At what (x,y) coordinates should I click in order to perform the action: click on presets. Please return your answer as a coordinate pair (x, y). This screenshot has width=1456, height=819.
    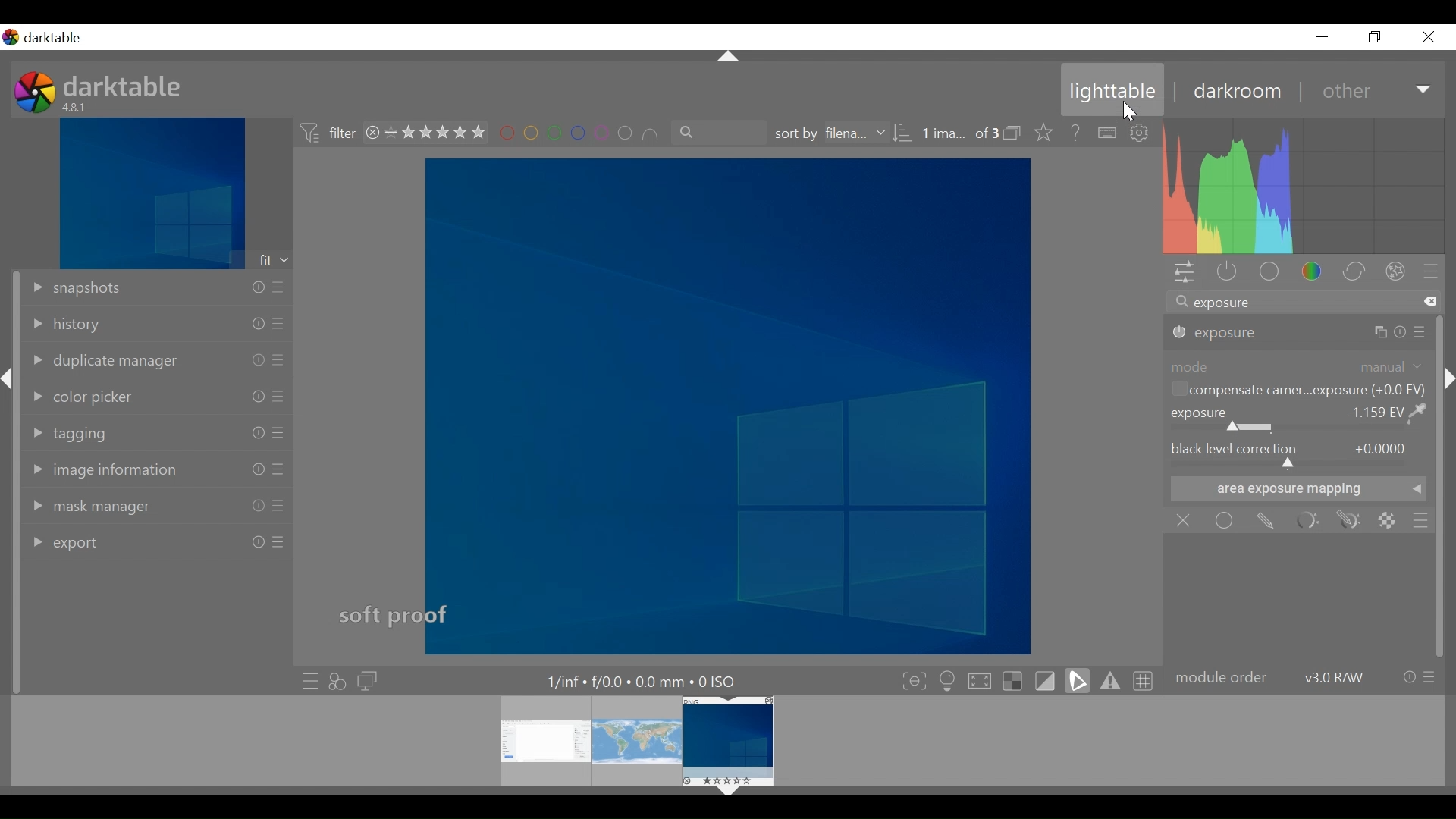
    Looking at the image, I should click on (279, 396).